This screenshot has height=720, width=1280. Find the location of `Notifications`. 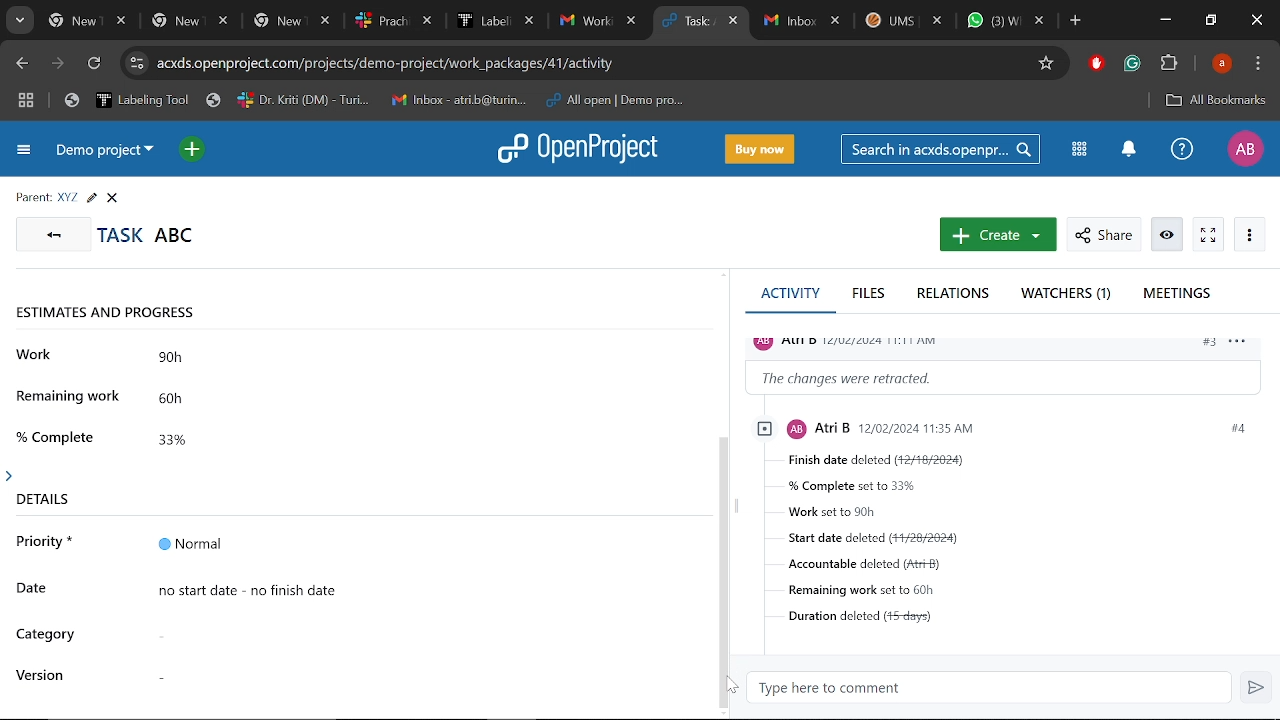

Notifications is located at coordinates (1128, 150).